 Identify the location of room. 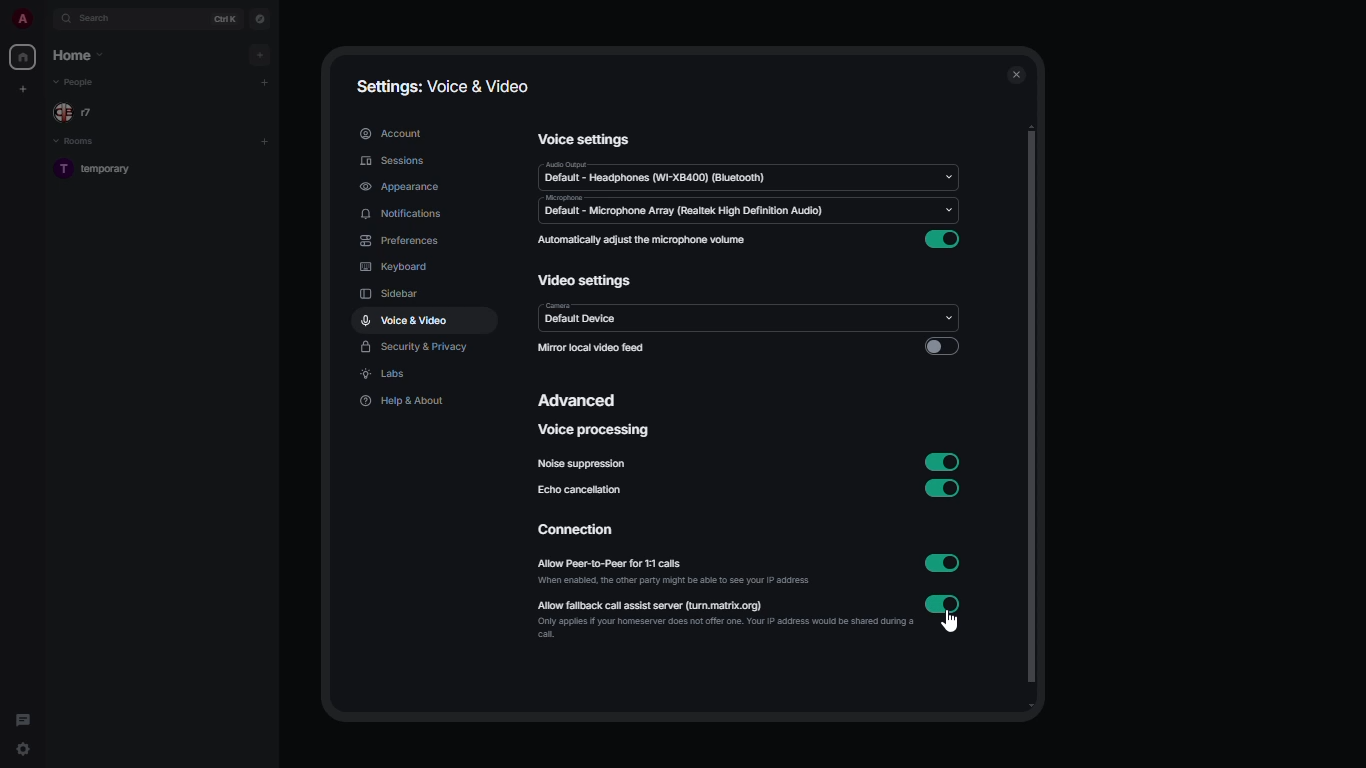
(106, 170).